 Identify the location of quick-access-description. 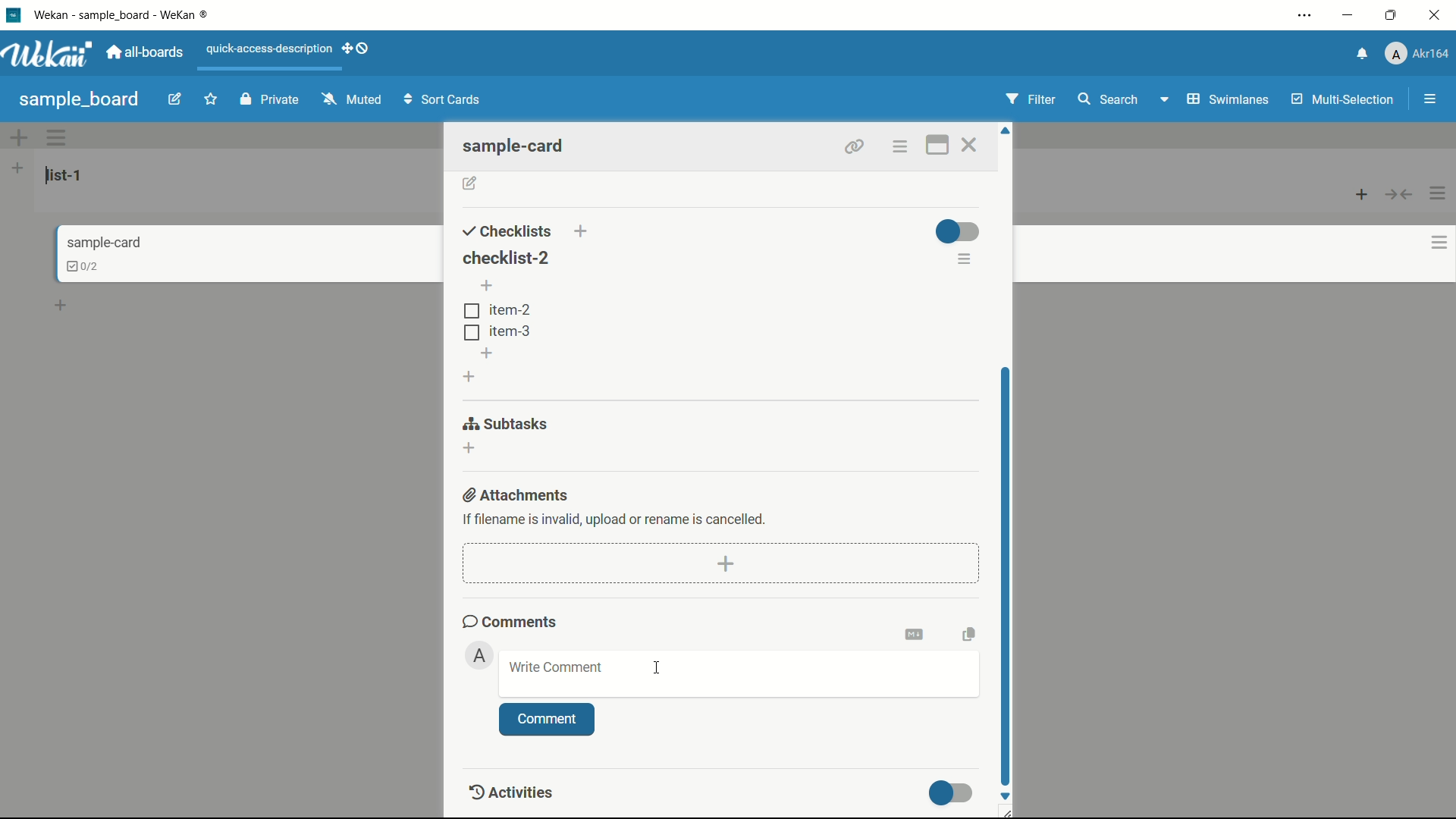
(269, 49).